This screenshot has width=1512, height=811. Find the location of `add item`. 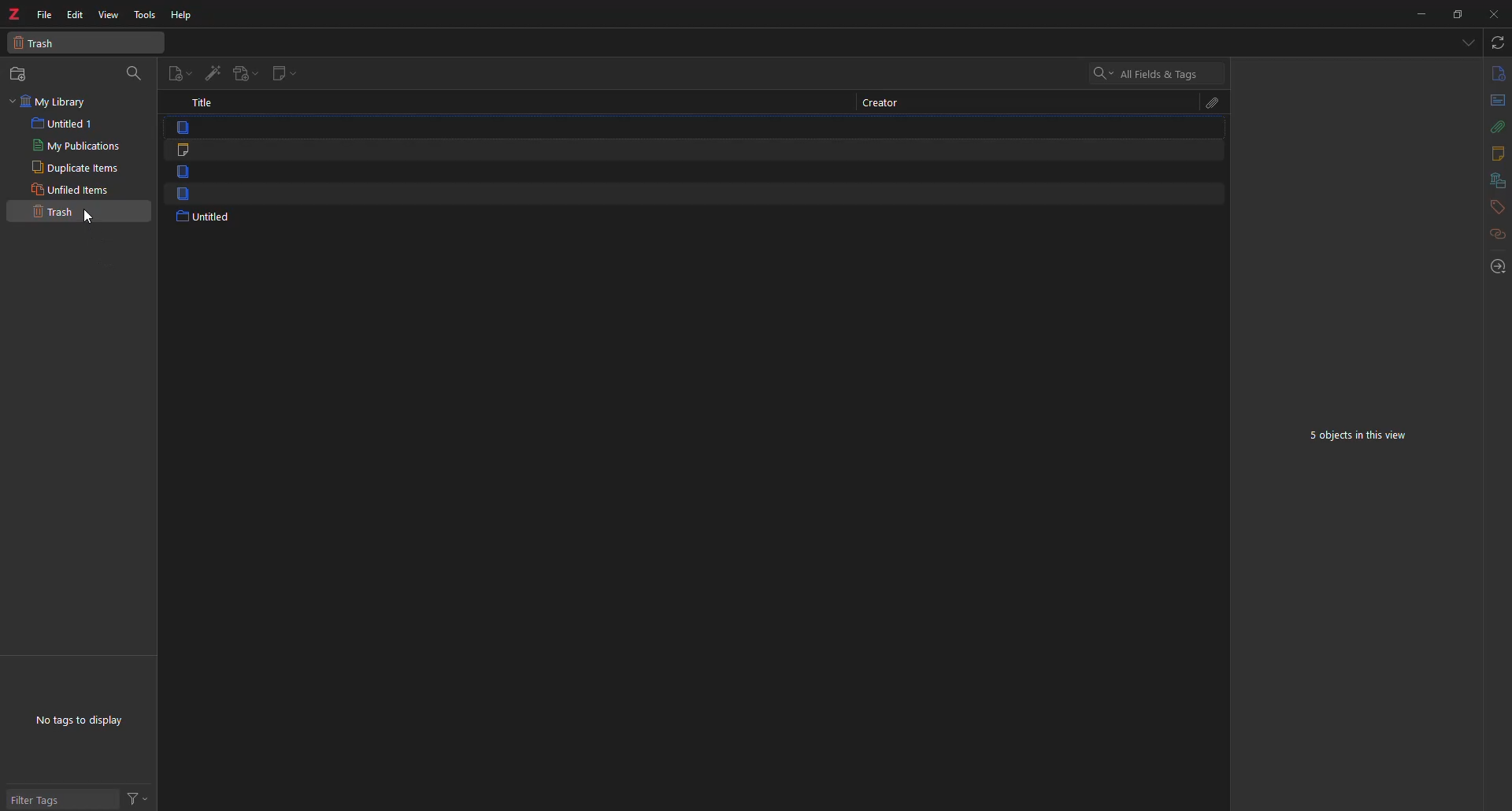

add item is located at coordinates (212, 72).